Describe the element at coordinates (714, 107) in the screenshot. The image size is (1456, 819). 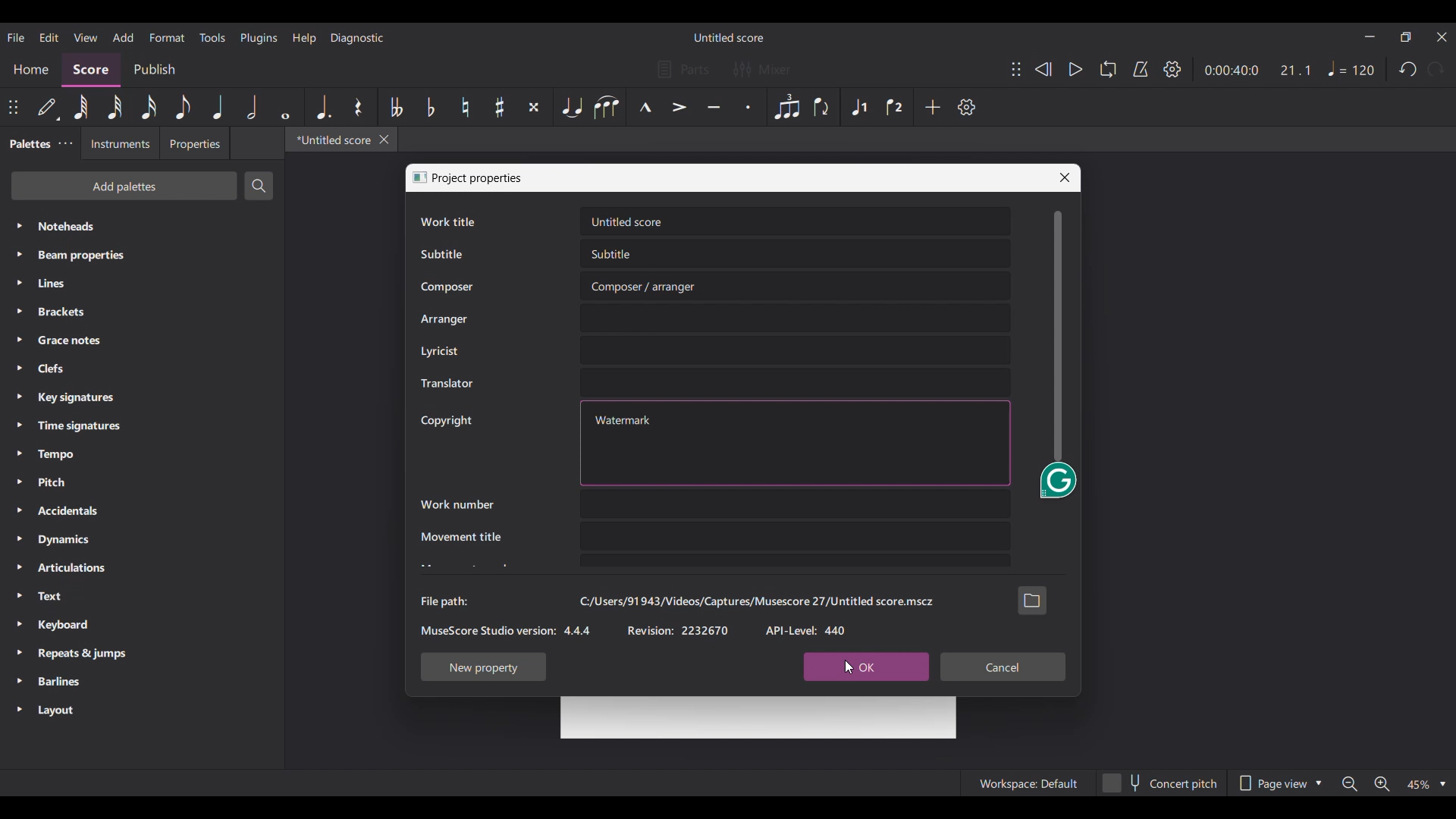
I see `Tenuto` at that location.